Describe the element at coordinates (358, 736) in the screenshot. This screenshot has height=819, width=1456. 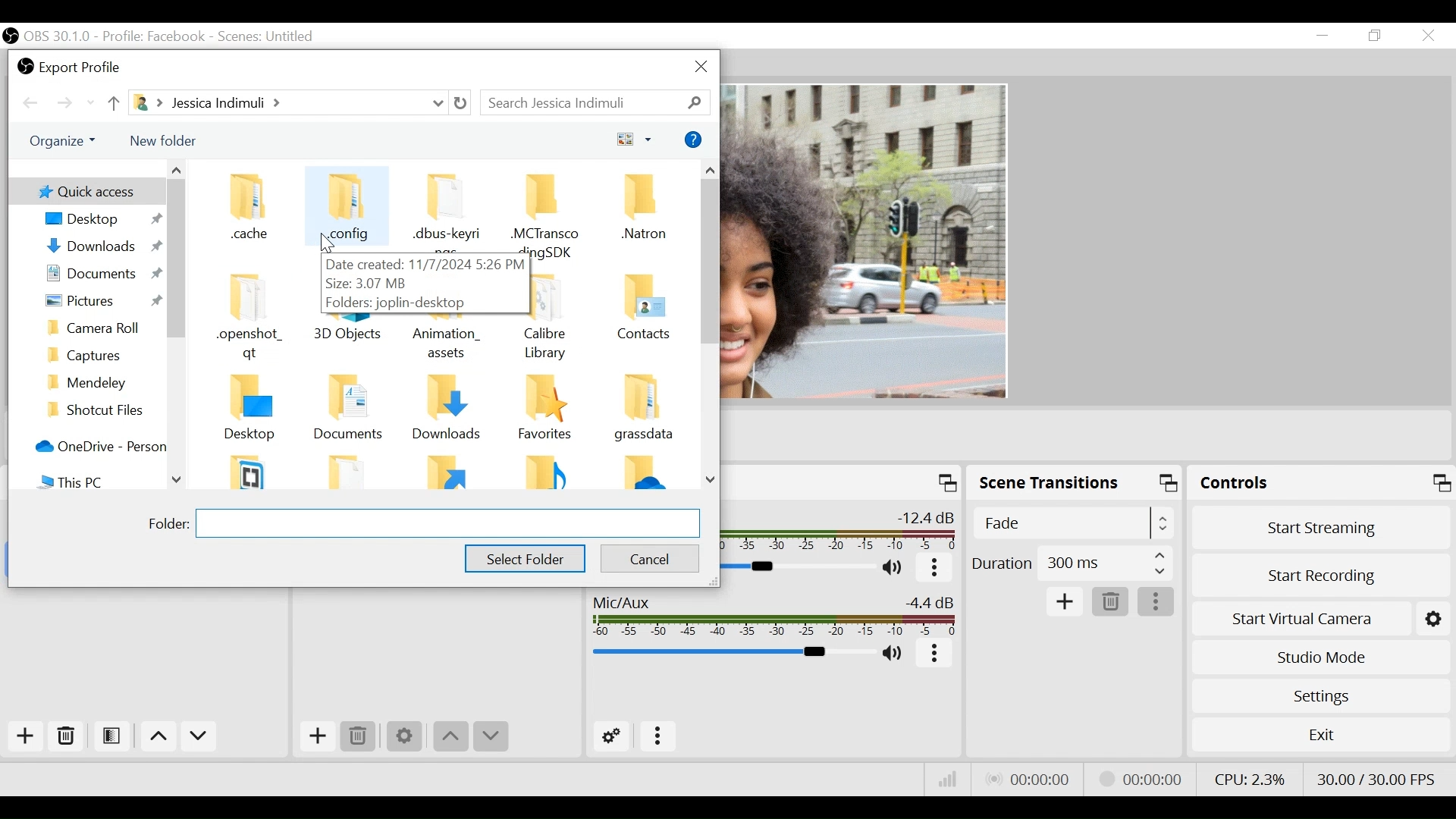
I see `Remove` at that location.